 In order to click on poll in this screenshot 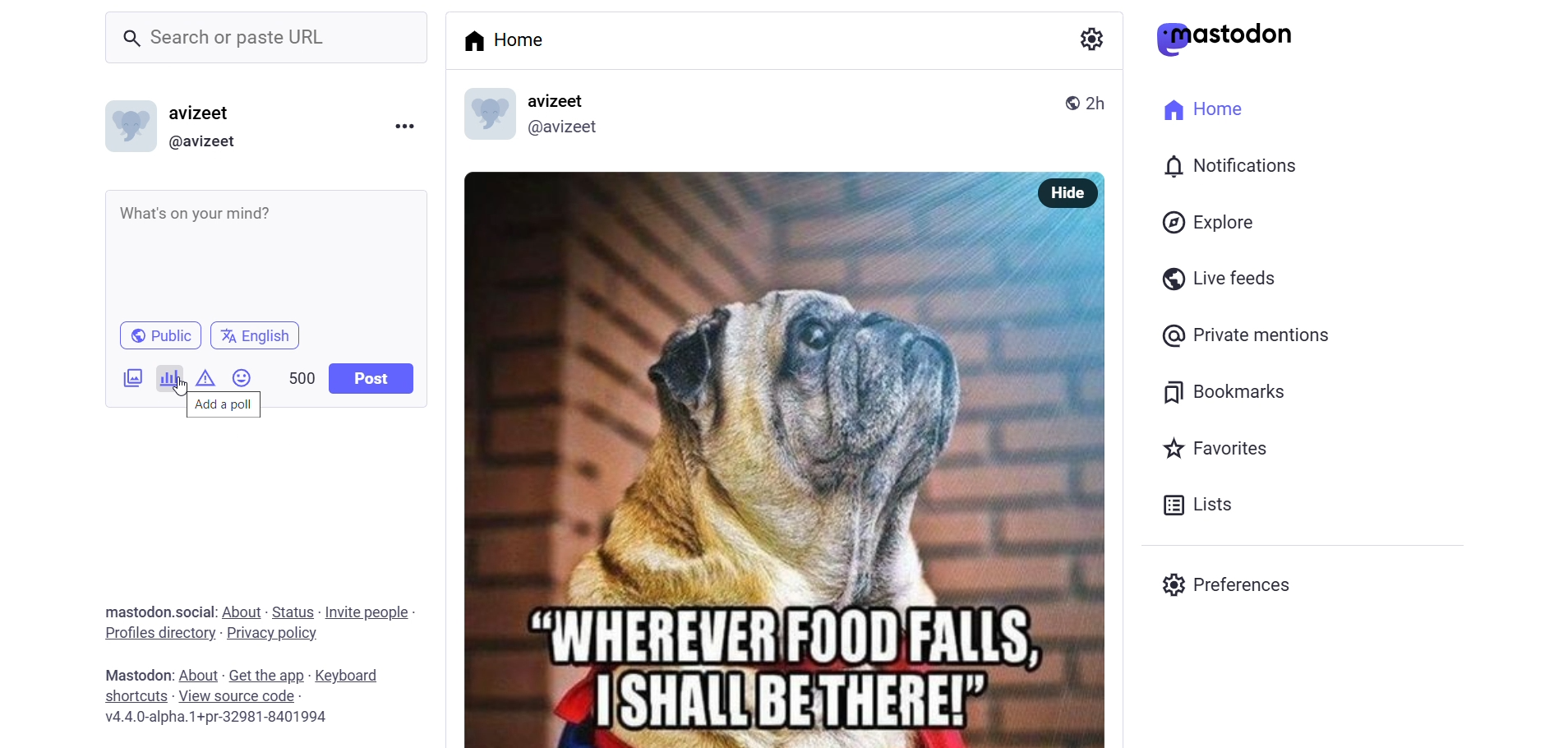, I will do `click(172, 378)`.